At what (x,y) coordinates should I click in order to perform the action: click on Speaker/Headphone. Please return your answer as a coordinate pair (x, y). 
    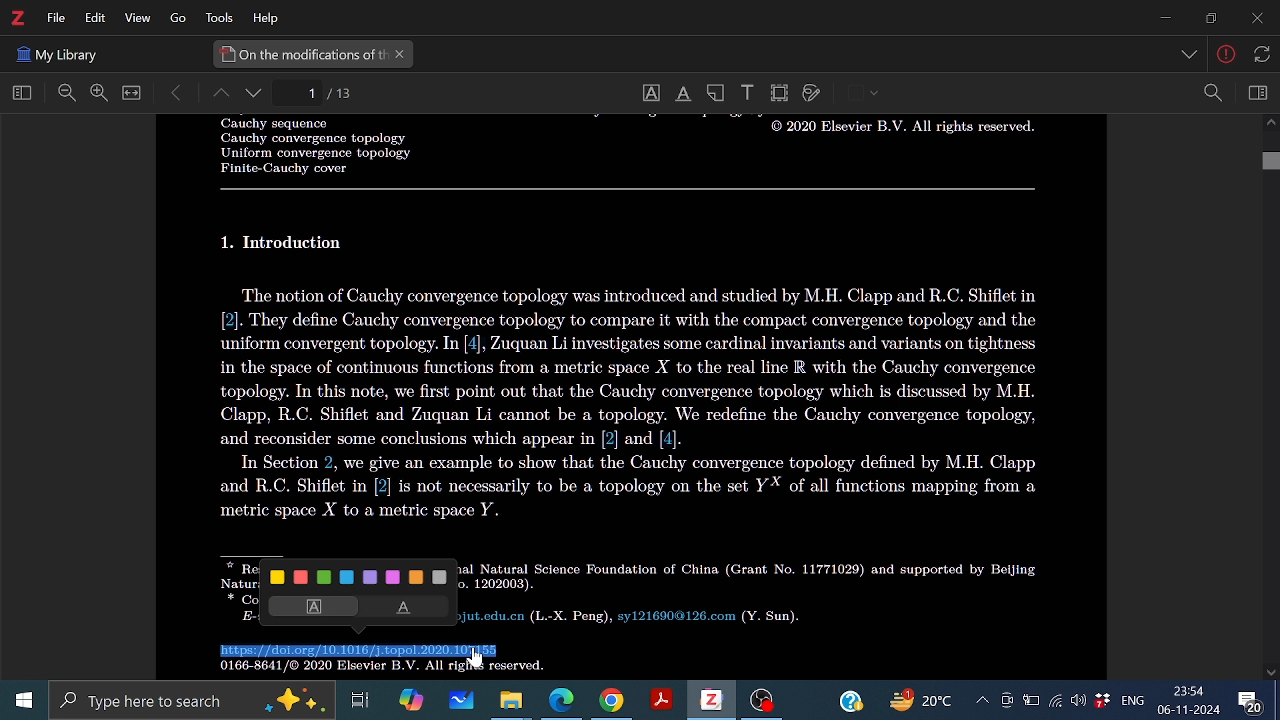
    Looking at the image, I should click on (1079, 700).